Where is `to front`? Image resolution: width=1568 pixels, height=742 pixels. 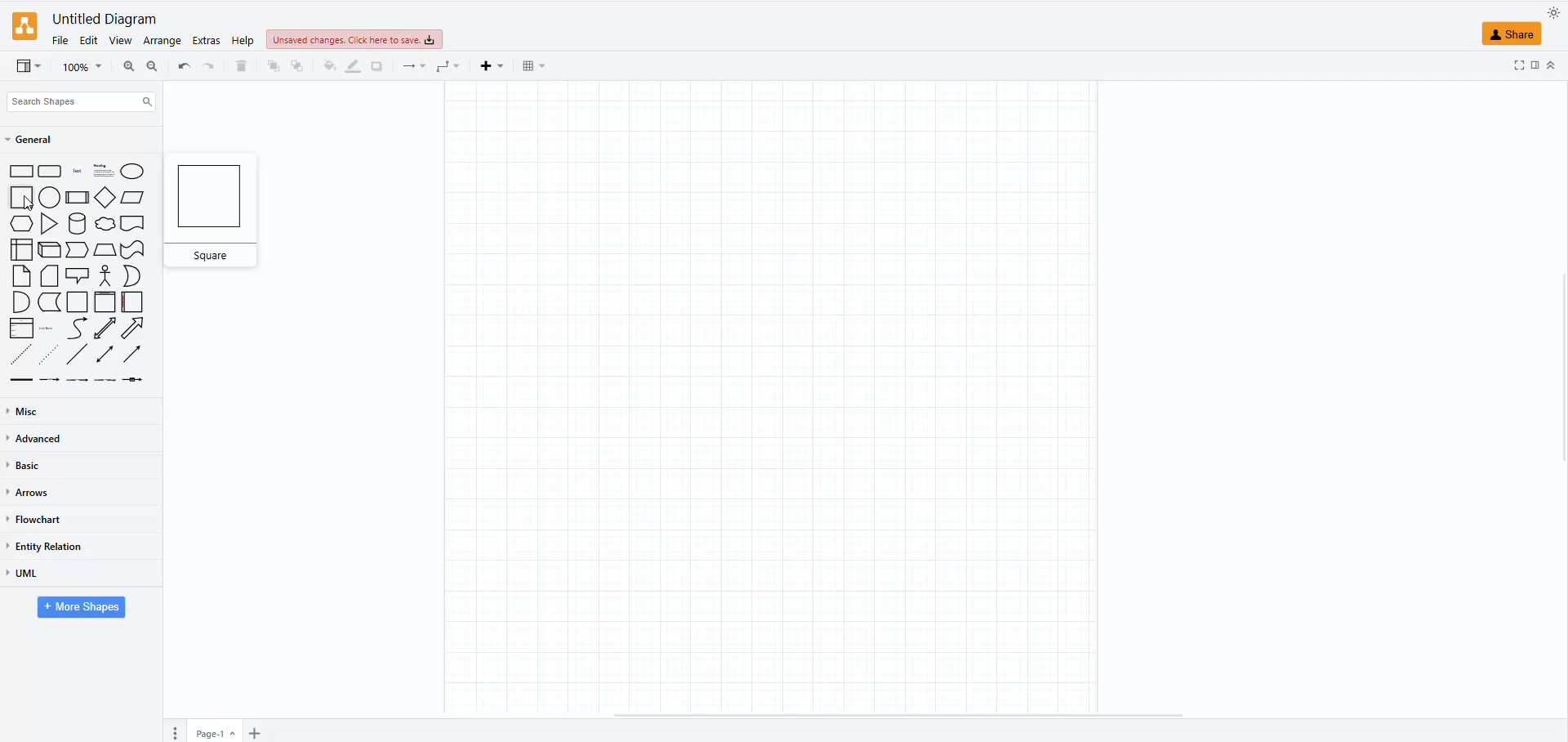
to front is located at coordinates (296, 65).